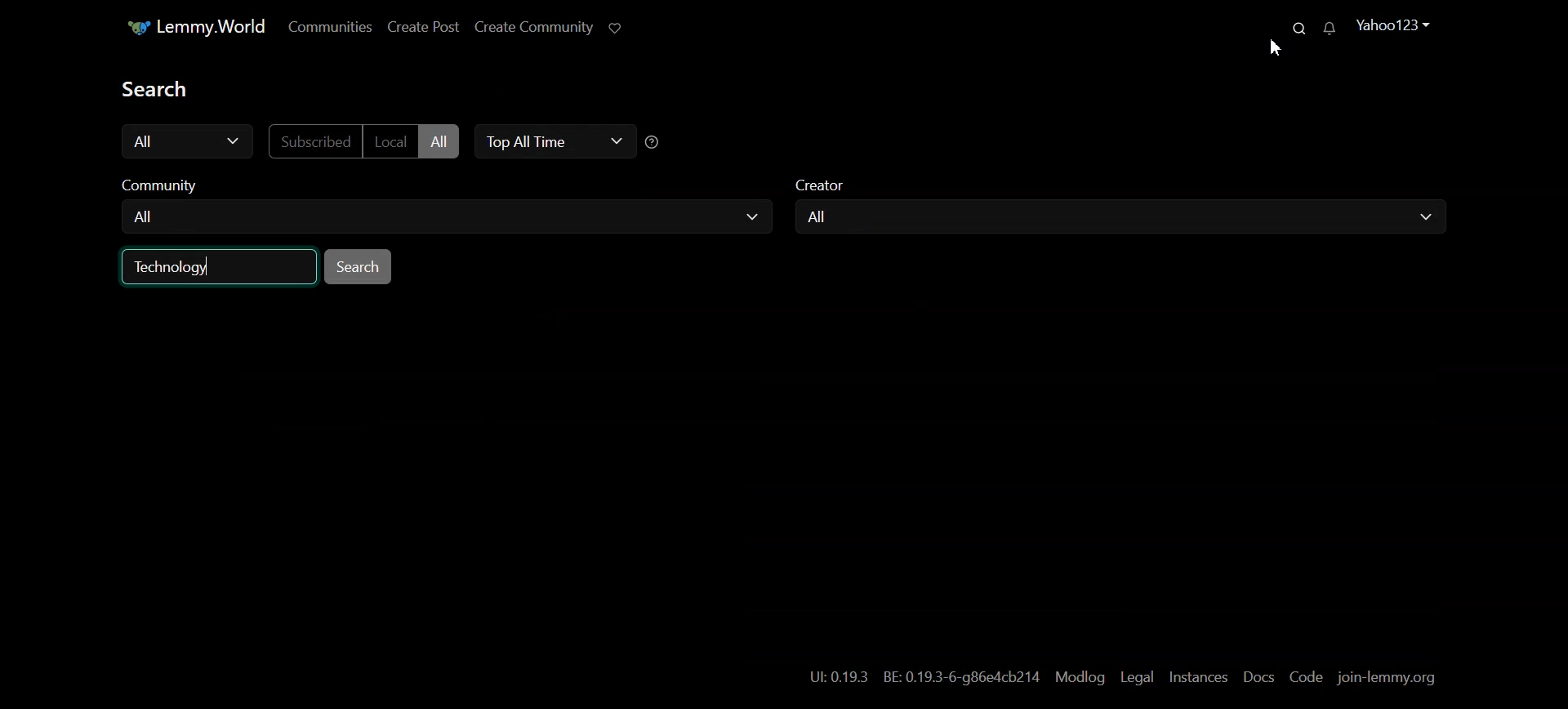  What do you see at coordinates (1274, 49) in the screenshot?
I see `Cursor` at bounding box center [1274, 49].